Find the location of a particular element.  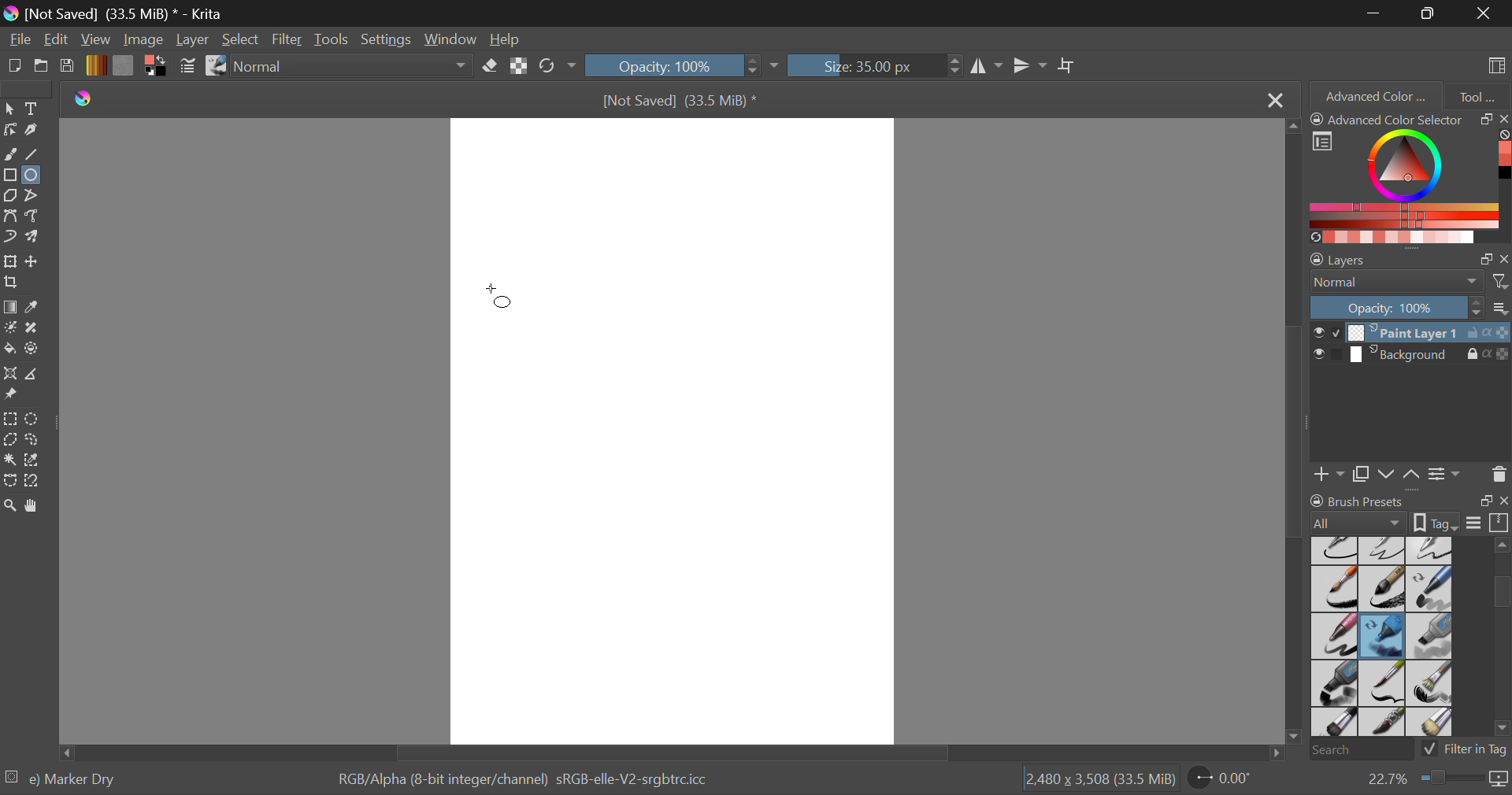

Preserve Alpha is located at coordinates (518, 66).